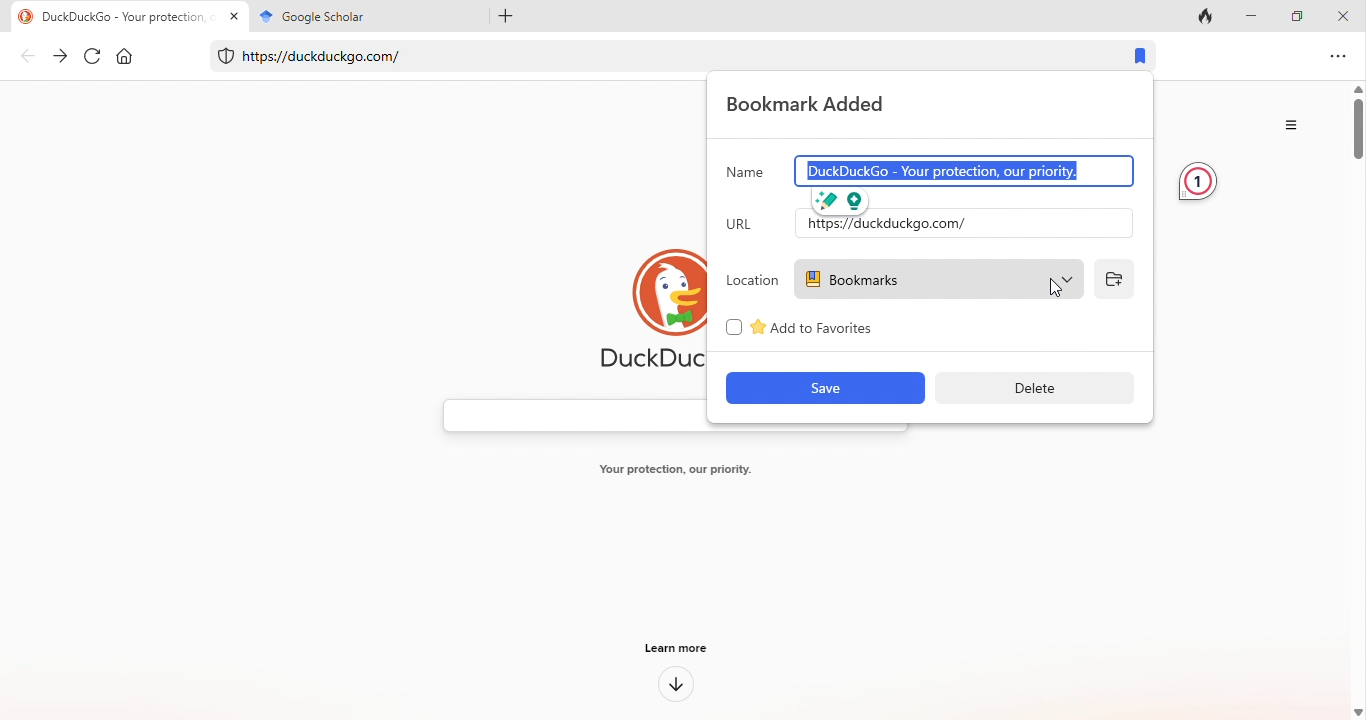  Describe the element at coordinates (1210, 15) in the screenshot. I see `track tab` at that location.